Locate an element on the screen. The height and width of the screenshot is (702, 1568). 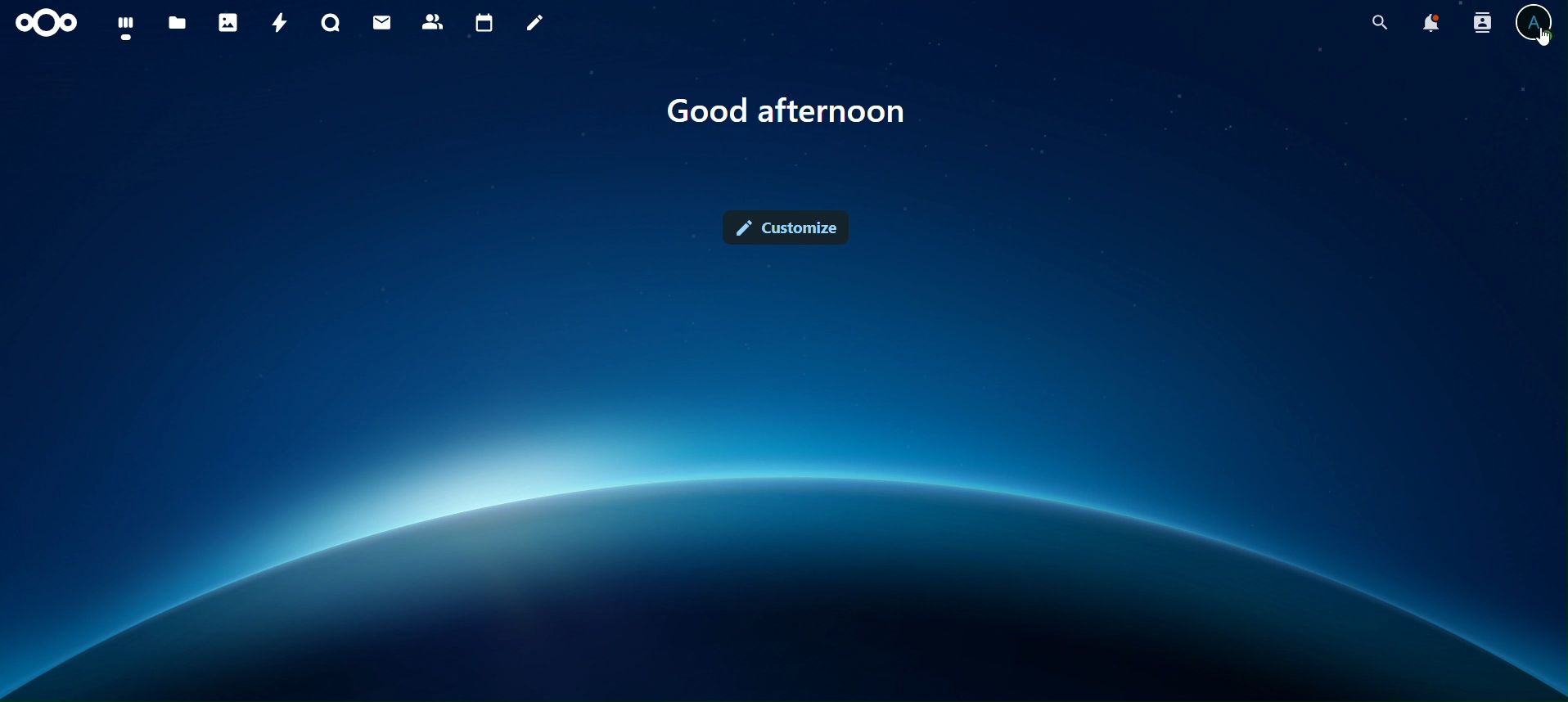
view profile is located at coordinates (1534, 24).